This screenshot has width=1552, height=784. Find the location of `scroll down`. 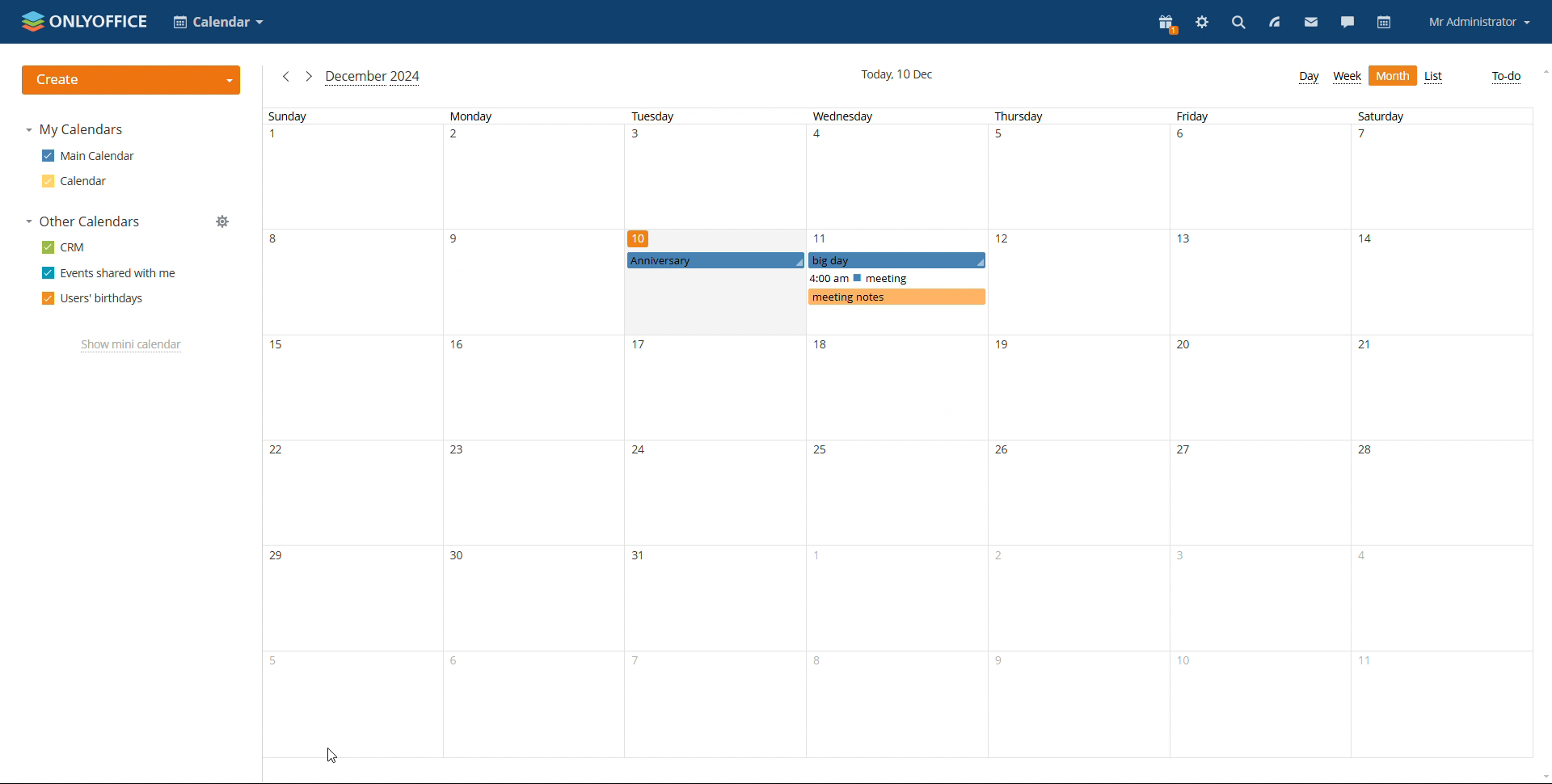

scroll down is located at coordinates (1542, 778).